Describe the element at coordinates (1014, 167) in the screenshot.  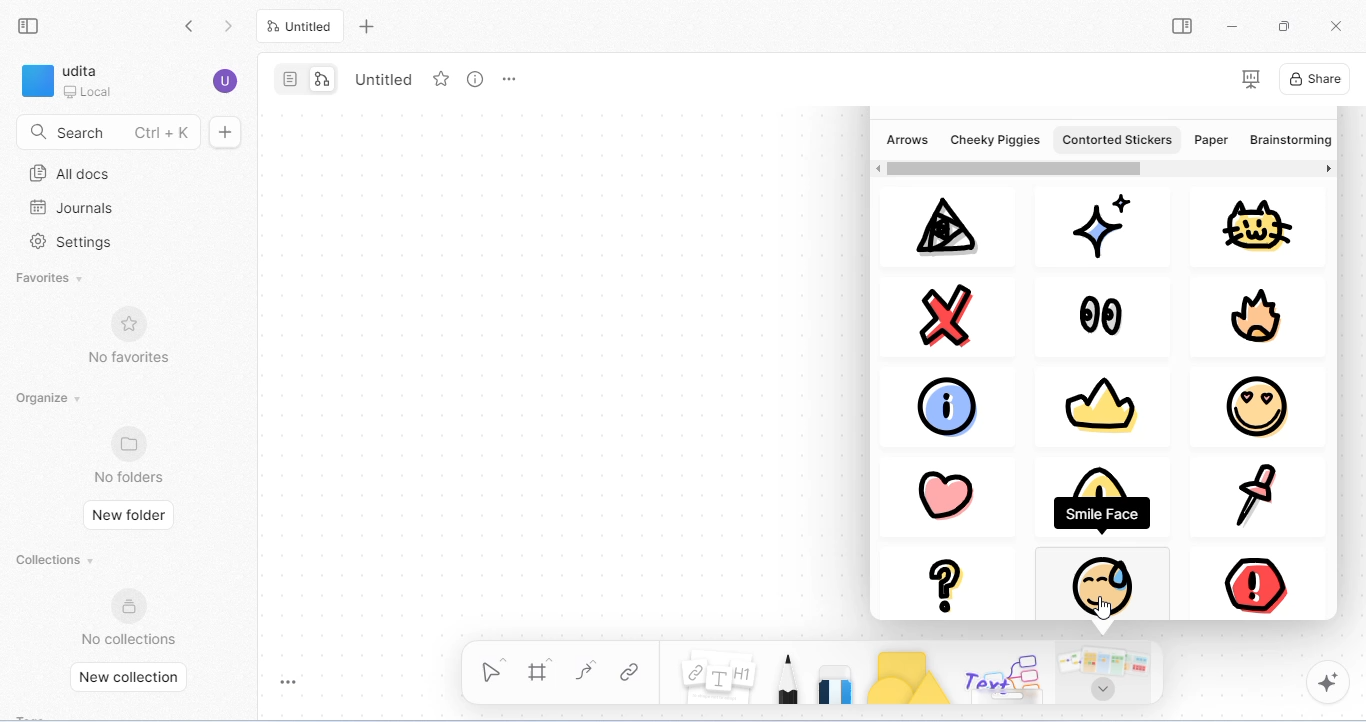
I see `horizontal scroll bar` at that location.